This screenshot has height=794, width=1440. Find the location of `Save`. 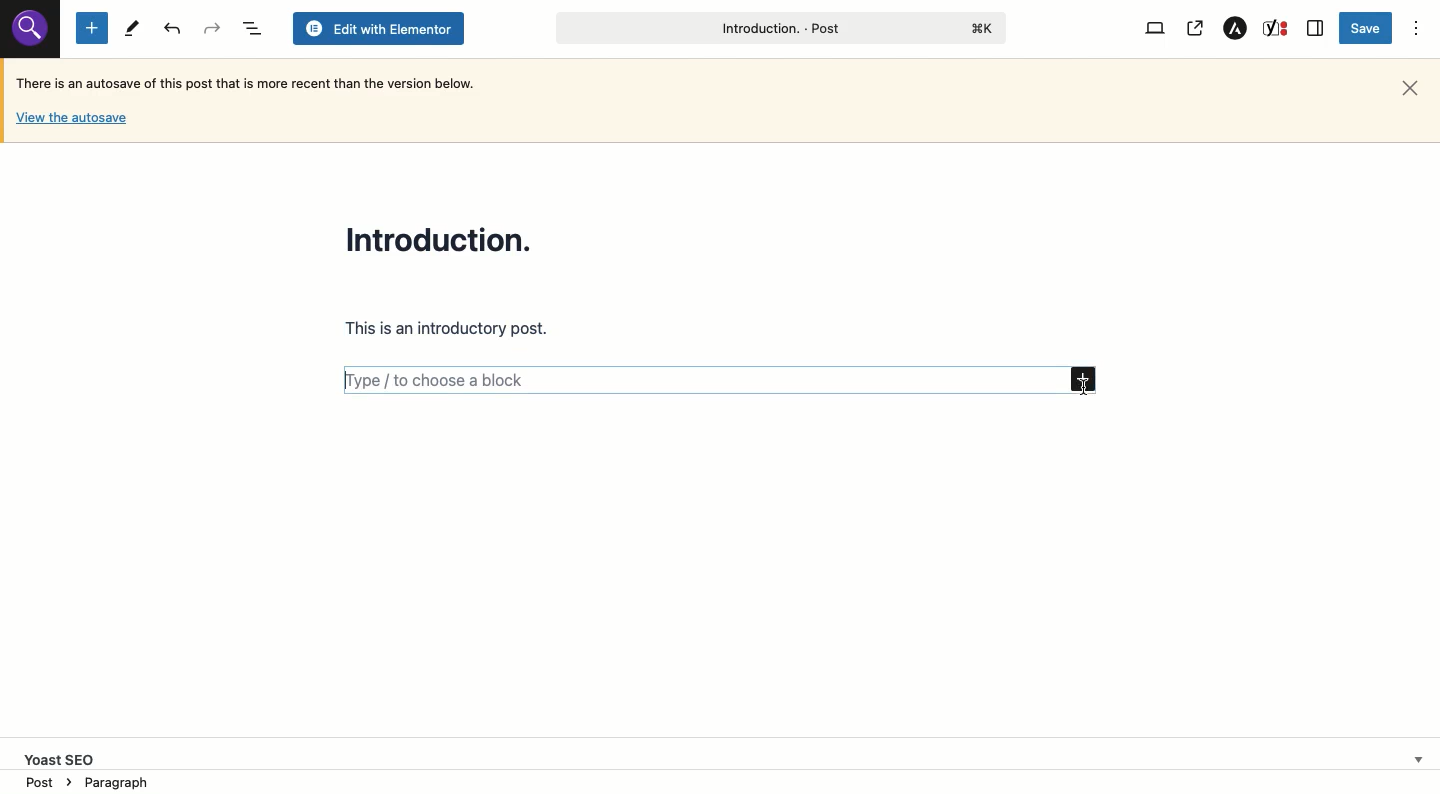

Save is located at coordinates (1368, 28).